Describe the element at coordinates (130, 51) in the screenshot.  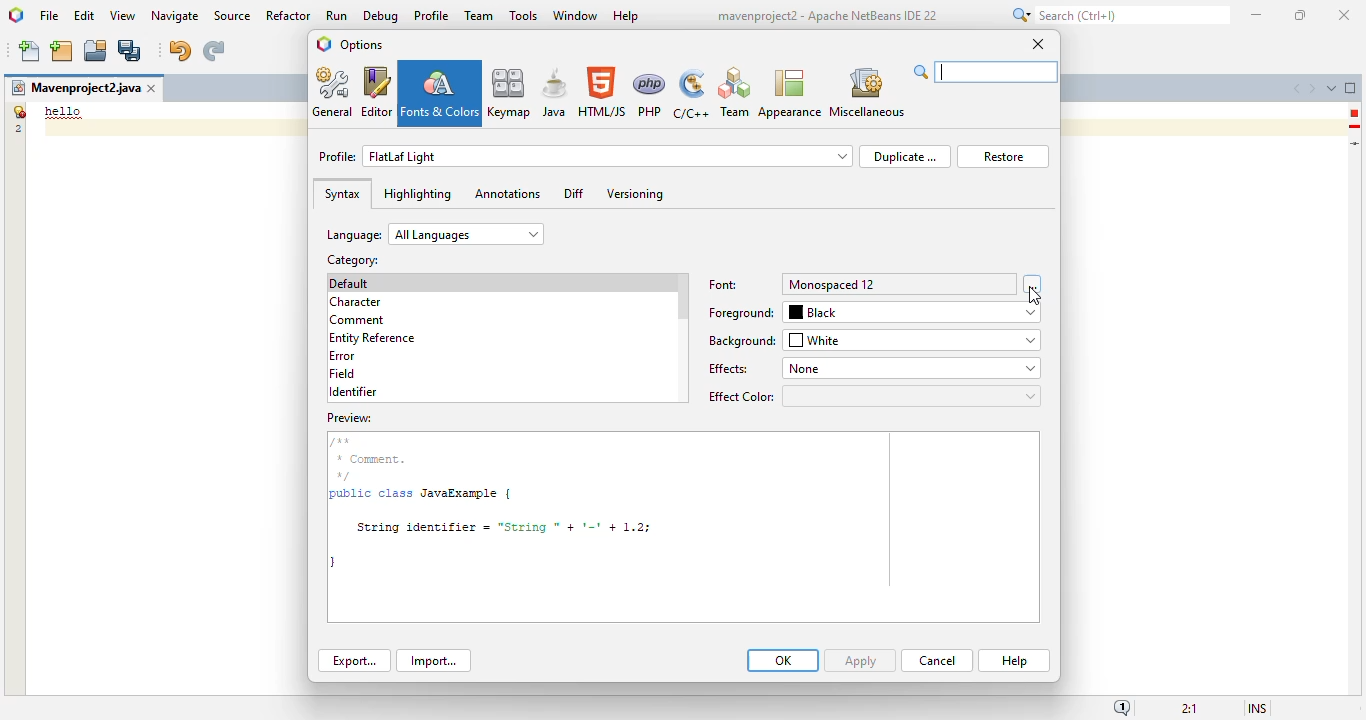
I see `save all` at that location.